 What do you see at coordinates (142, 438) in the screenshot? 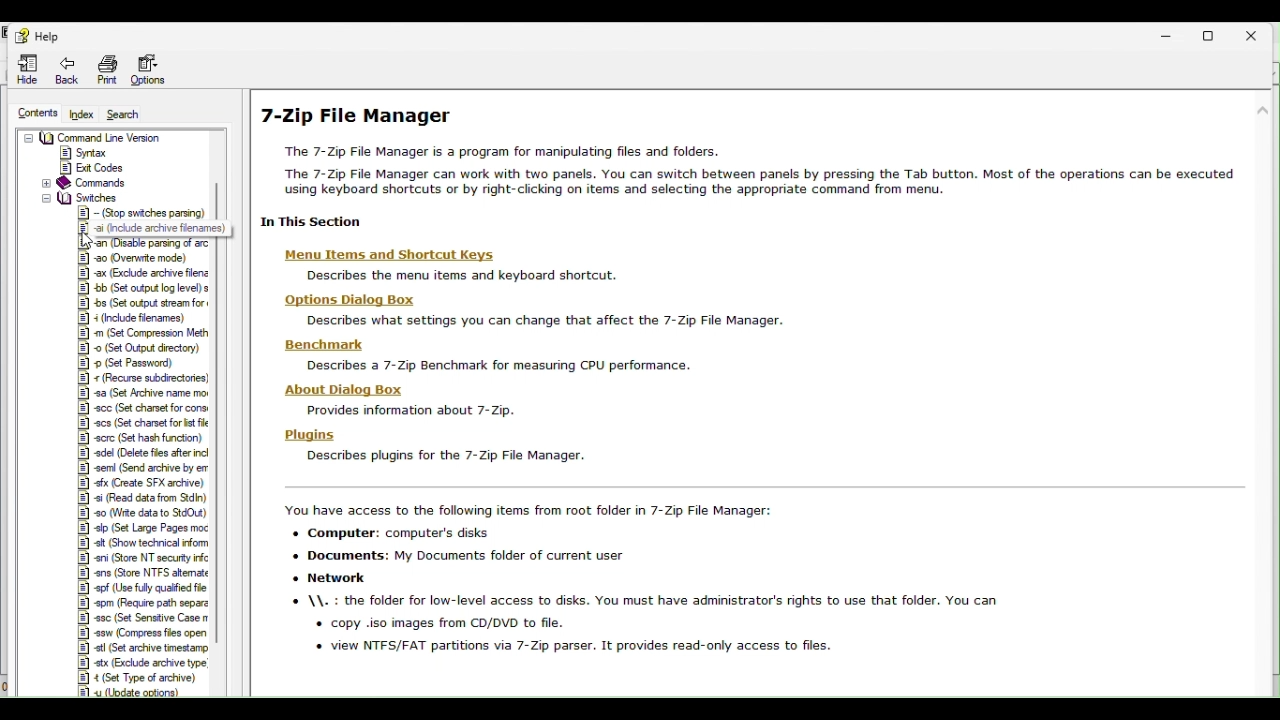
I see `(Set hash function)` at bounding box center [142, 438].